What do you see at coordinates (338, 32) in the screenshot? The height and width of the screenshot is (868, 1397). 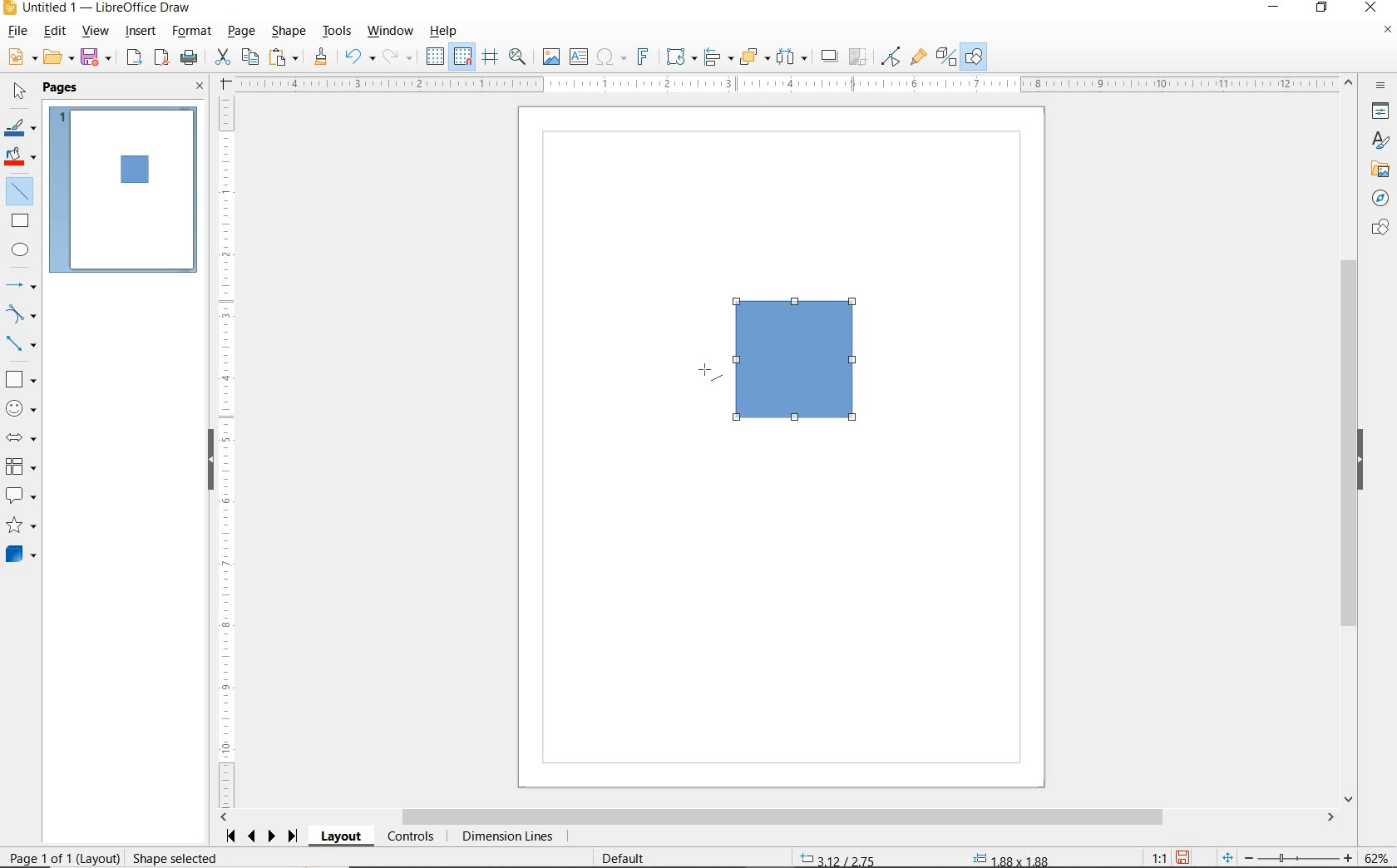 I see `TOOLS` at bounding box center [338, 32].